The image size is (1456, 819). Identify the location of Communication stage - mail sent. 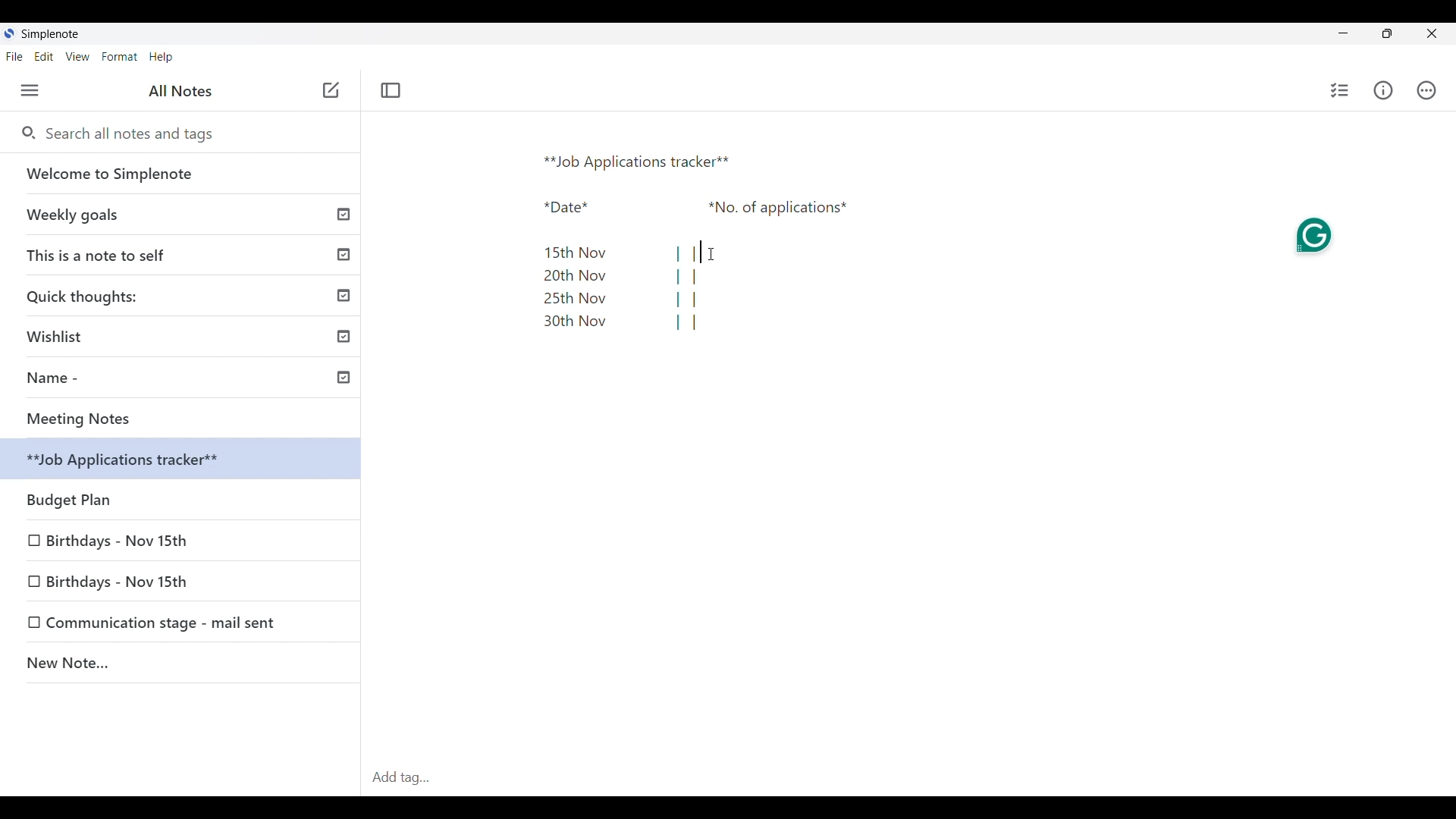
(166, 623).